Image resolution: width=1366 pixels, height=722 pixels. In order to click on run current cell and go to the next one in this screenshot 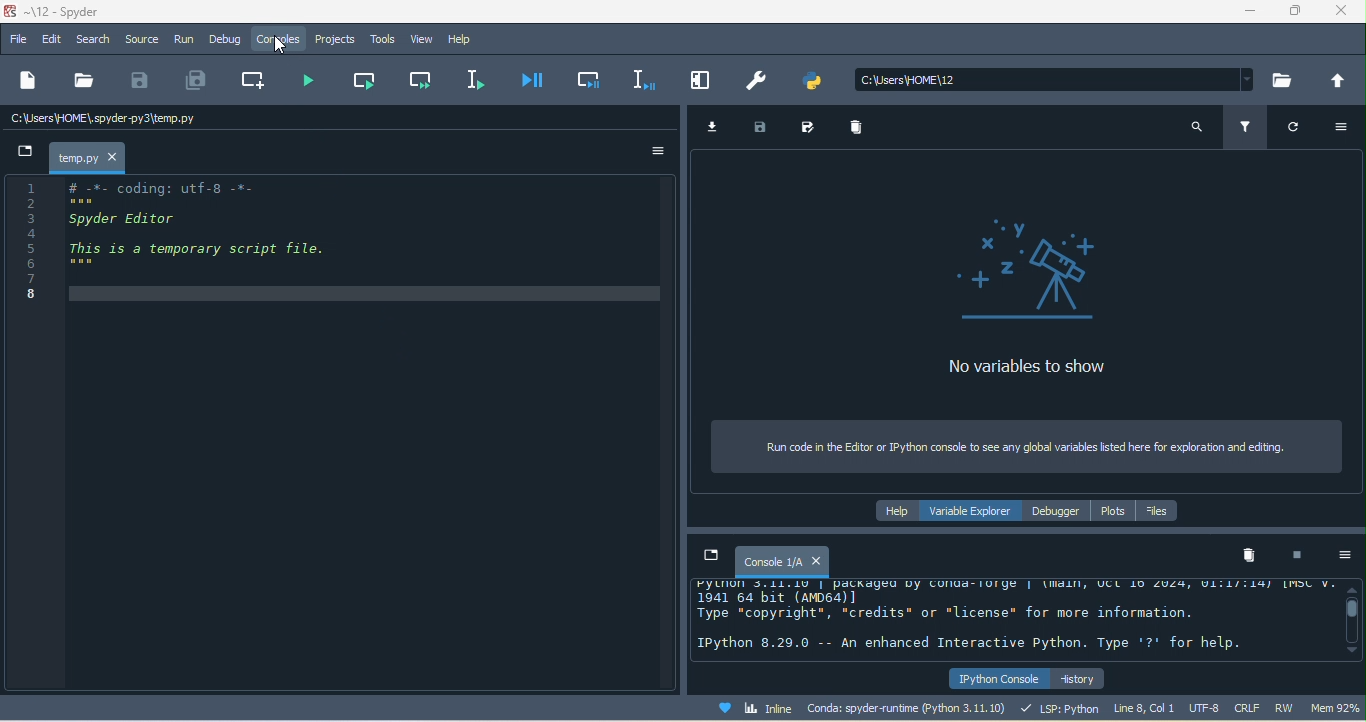, I will do `click(419, 81)`.